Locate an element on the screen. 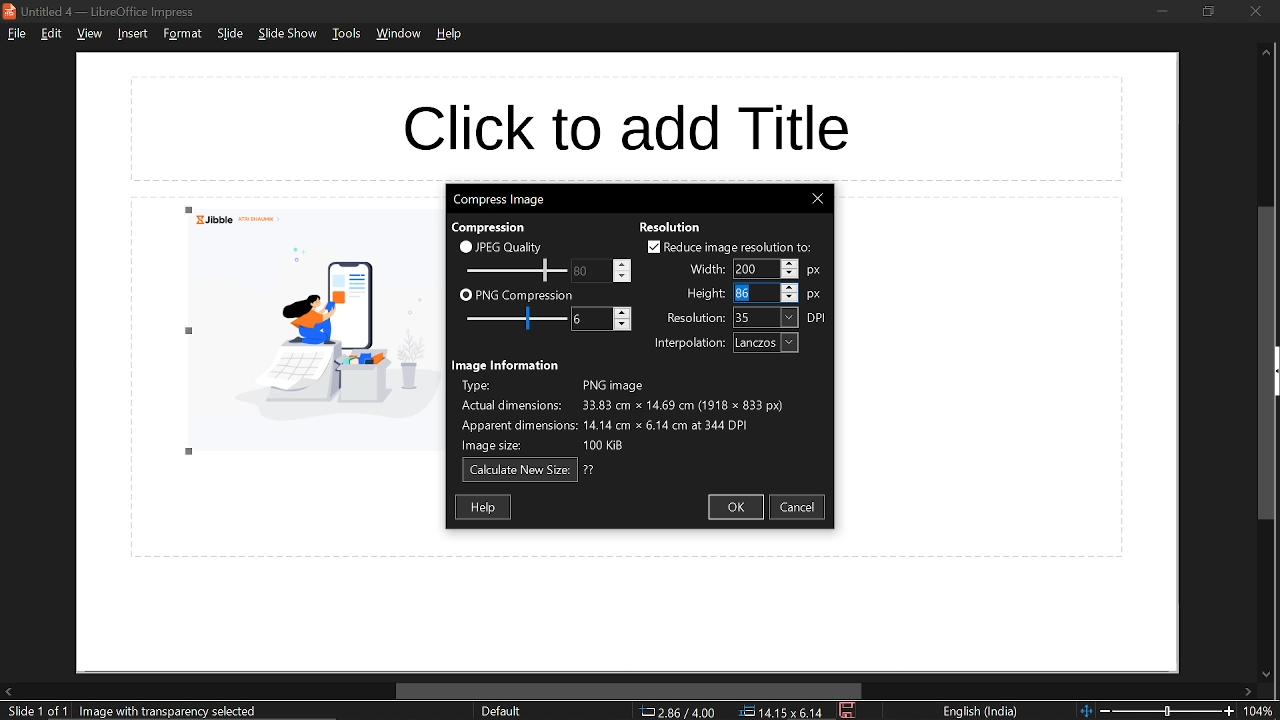 The width and height of the screenshot is (1280, 720). file is located at coordinates (16, 33).